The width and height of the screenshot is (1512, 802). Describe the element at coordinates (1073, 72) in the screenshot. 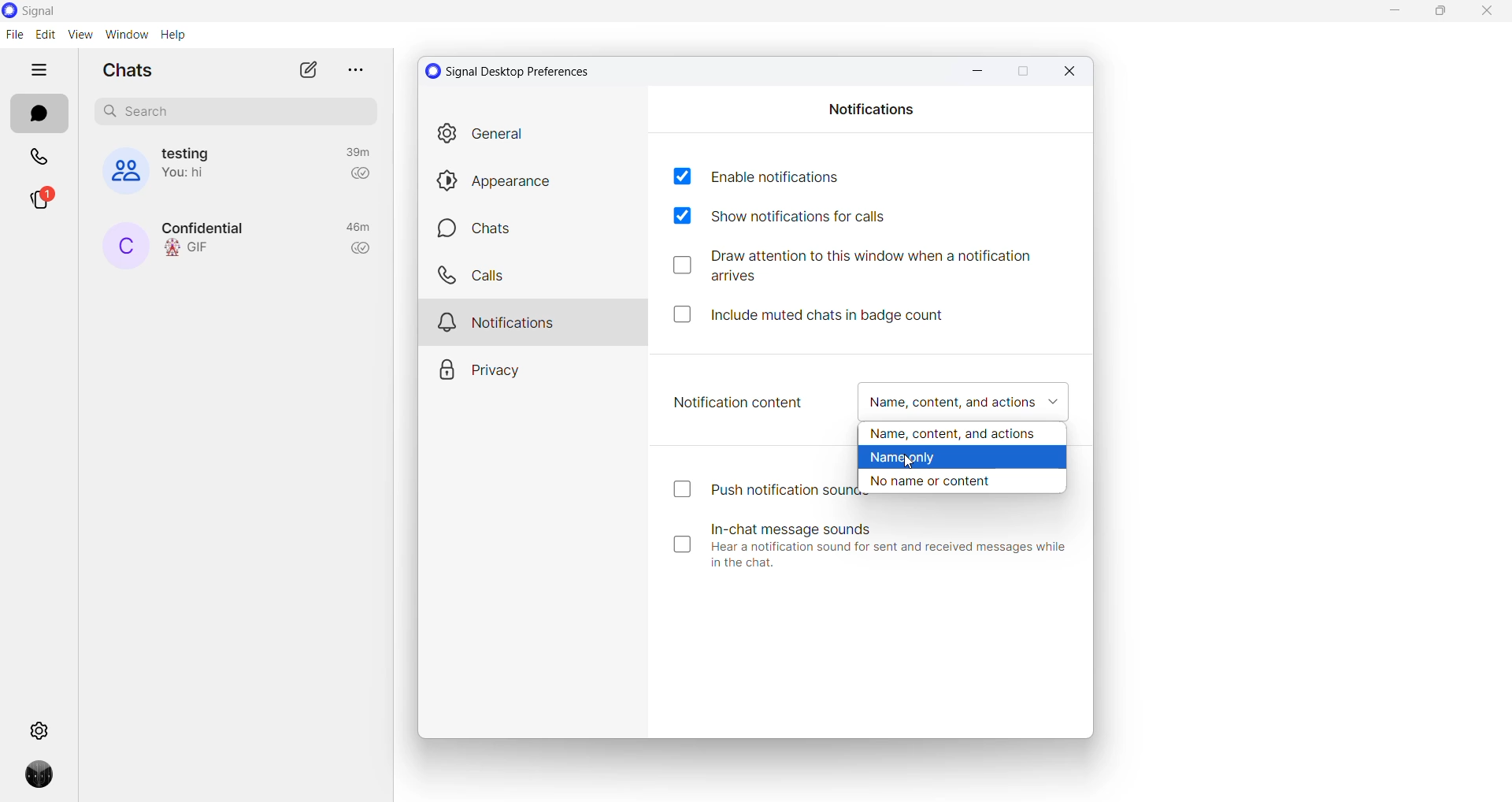

I see `Close` at that location.